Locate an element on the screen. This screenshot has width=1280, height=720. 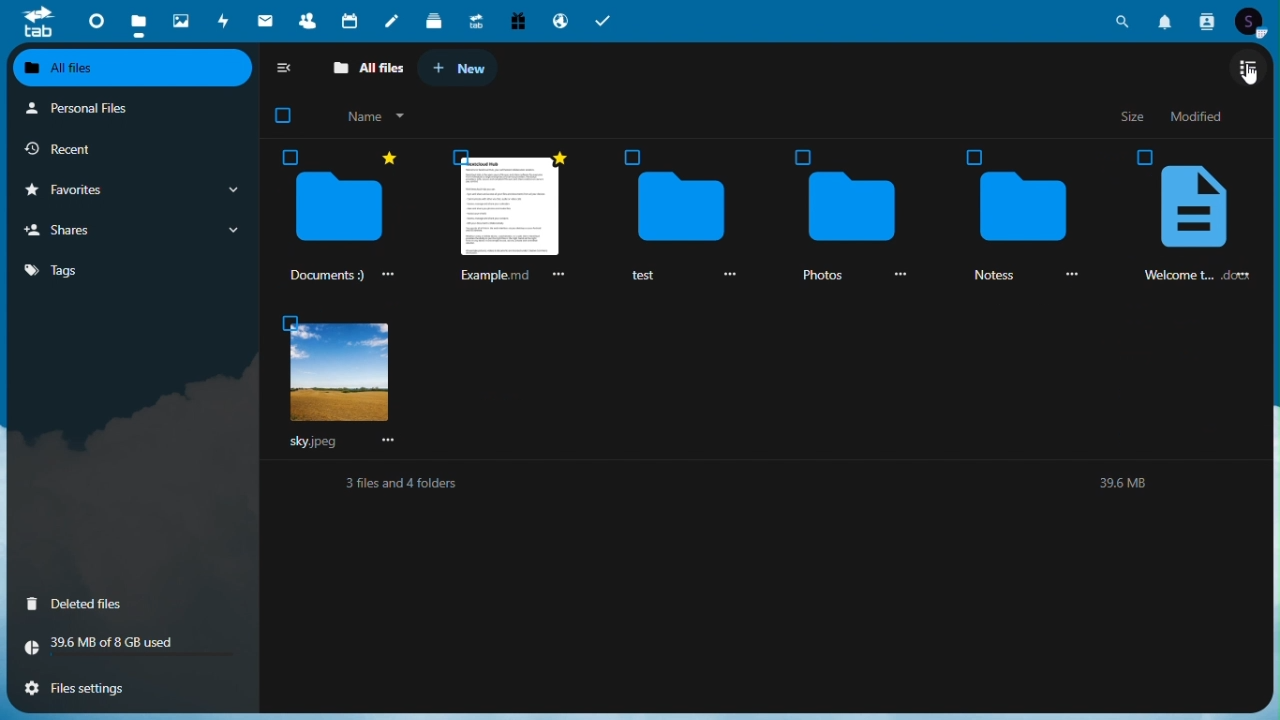
personal files is located at coordinates (117, 109).